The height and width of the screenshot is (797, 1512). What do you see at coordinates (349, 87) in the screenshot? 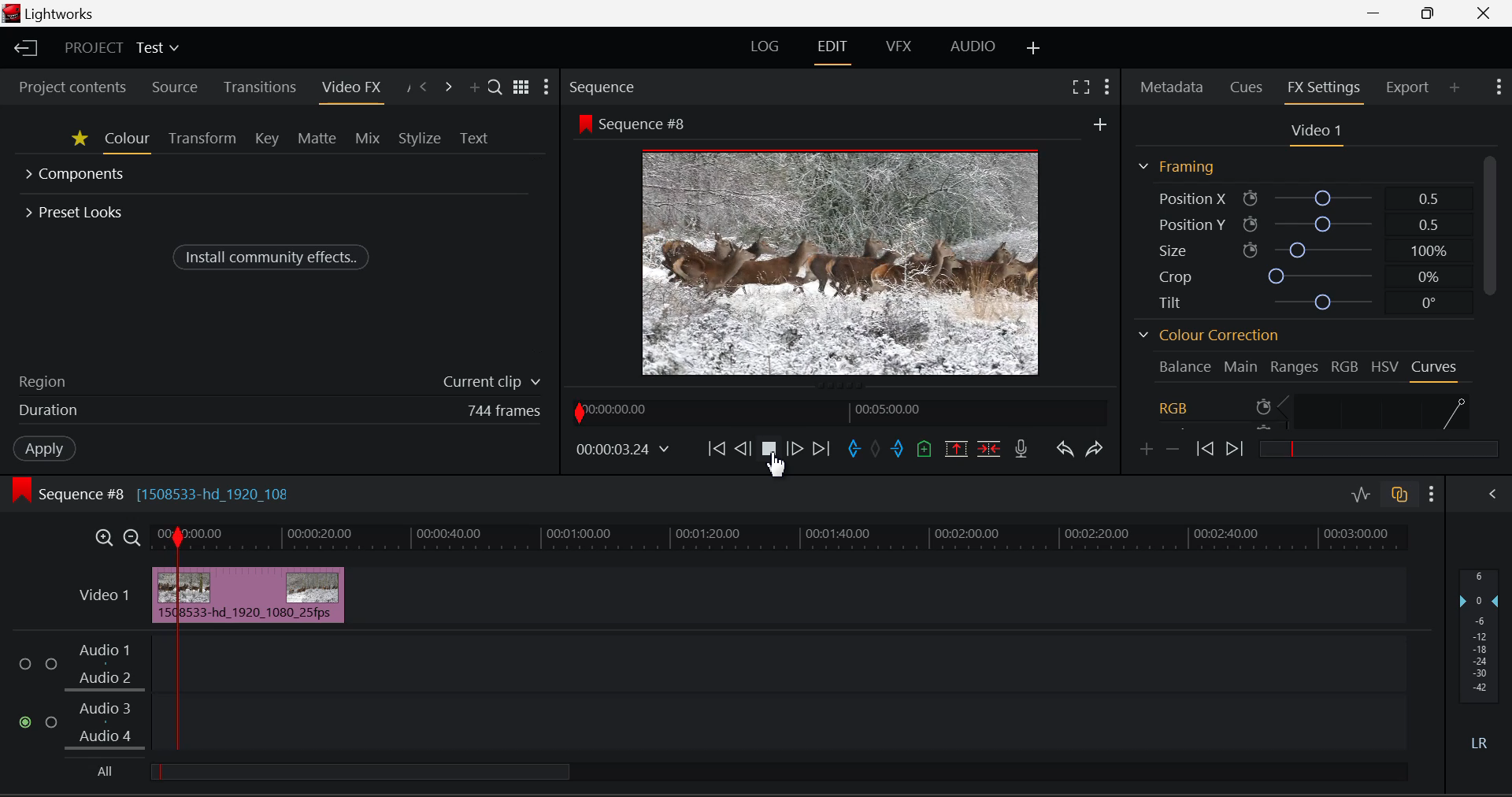
I see `Video FX` at bounding box center [349, 87].